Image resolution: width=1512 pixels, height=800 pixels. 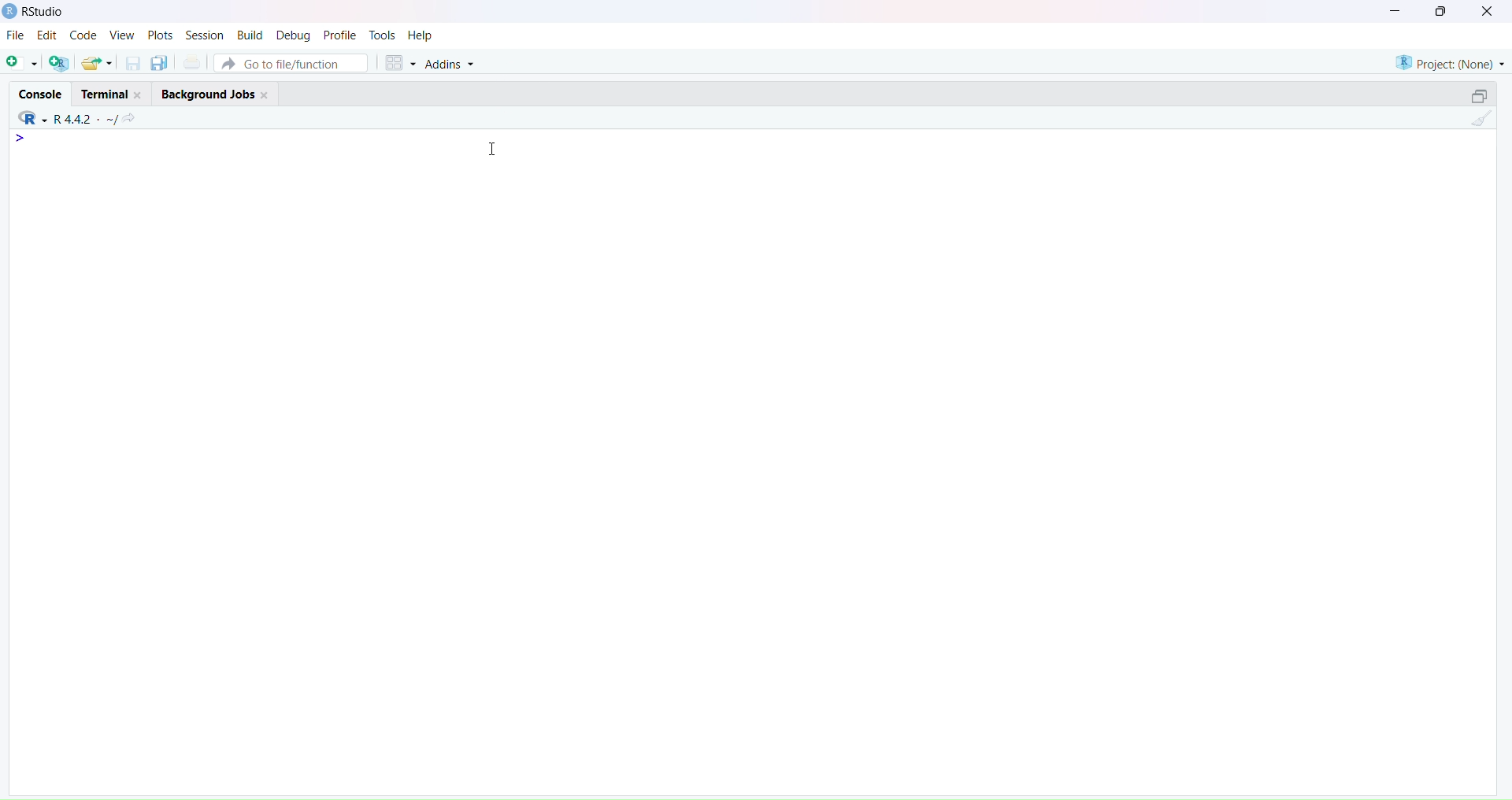 What do you see at coordinates (161, 63) in the screenshot?
I see `save all open documents` at bounding box center [161, 63].